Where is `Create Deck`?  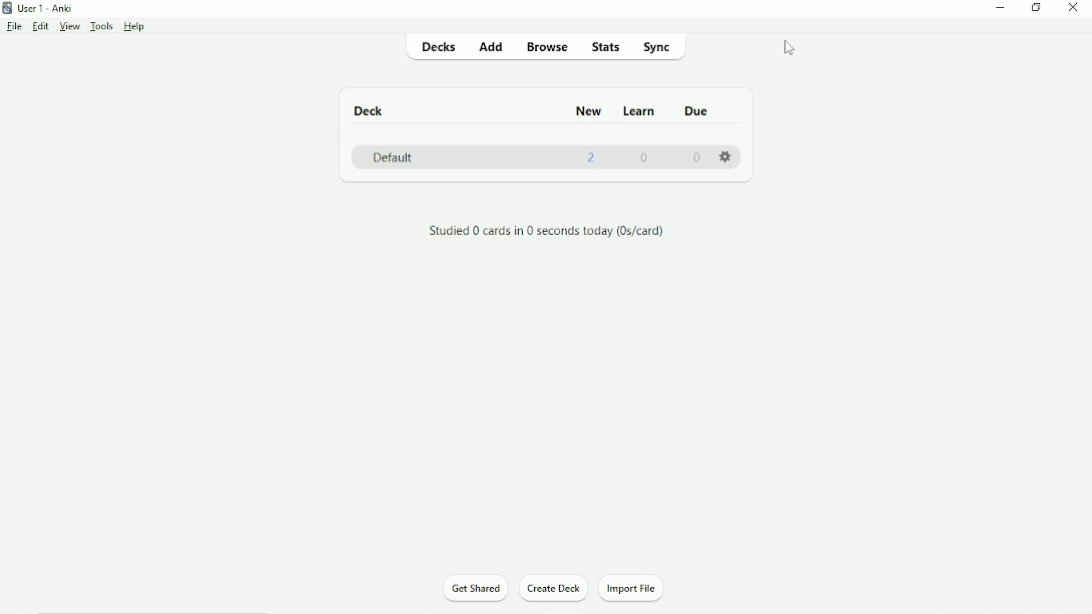 Create Deck is located at coordinates (552, 588).